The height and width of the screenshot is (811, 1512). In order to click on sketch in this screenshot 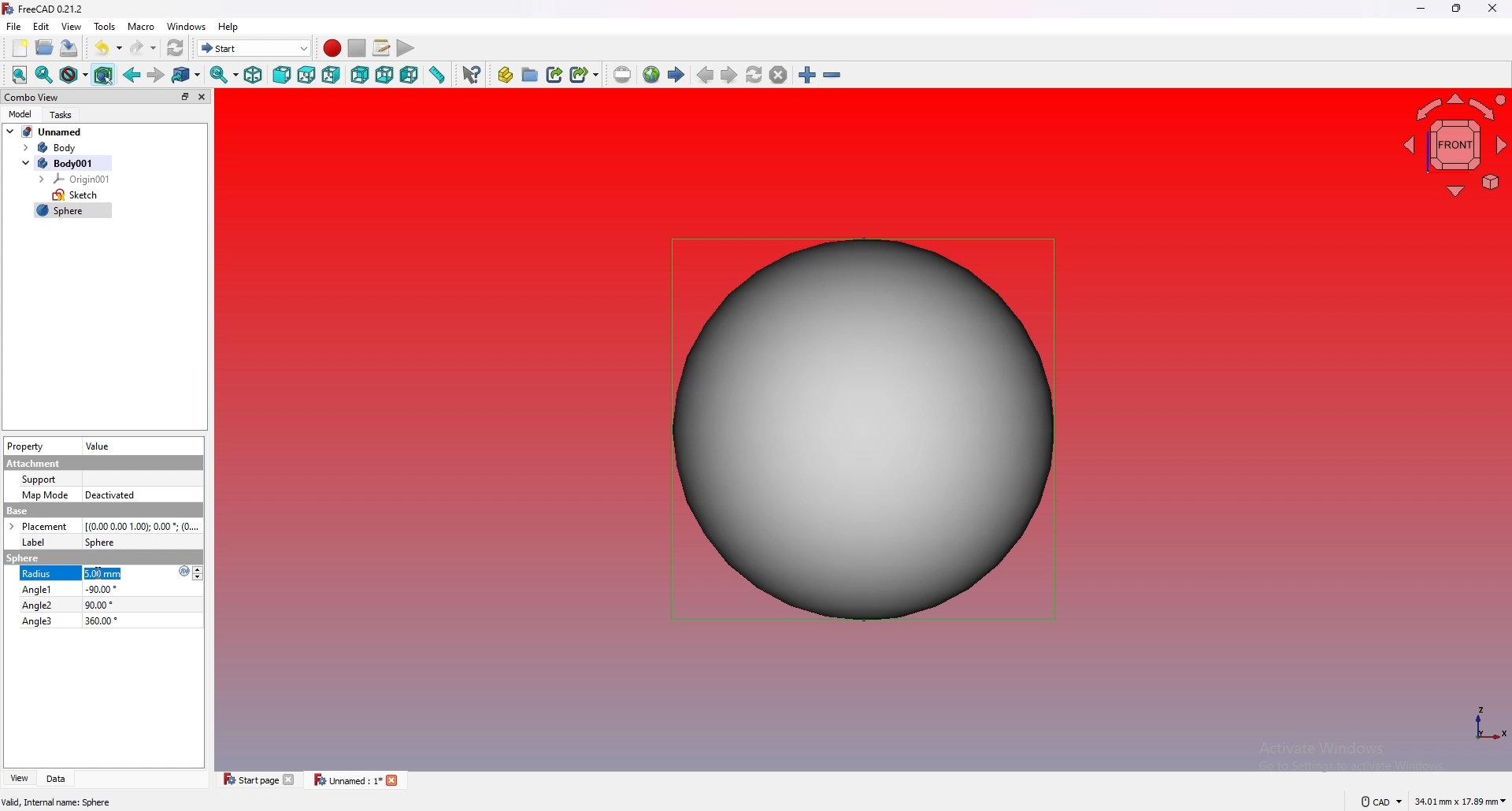, I will do `click(76, 195)`.